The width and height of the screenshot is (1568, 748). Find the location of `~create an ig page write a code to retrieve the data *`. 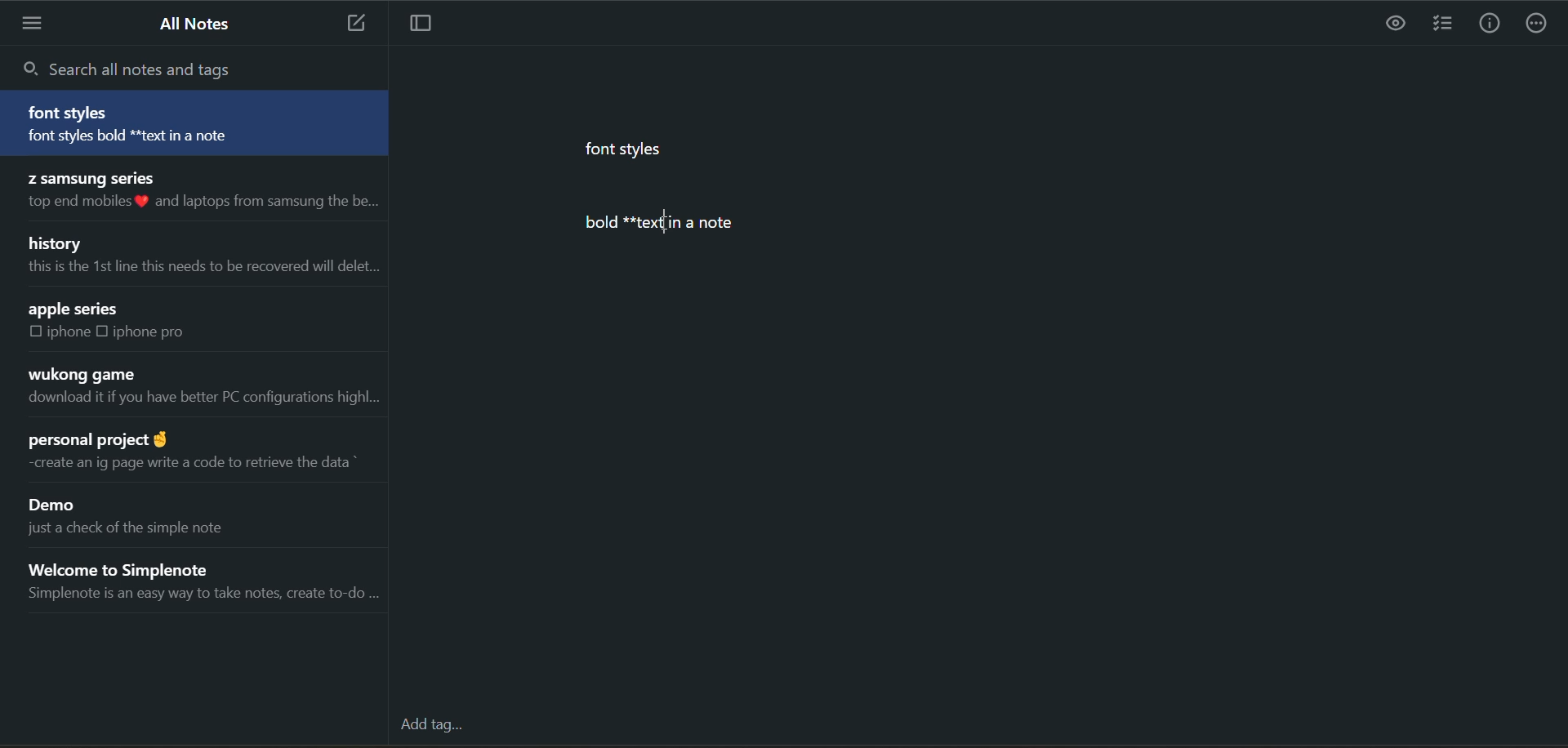

~create an ig page write a code to retrieve the data * is located at coordinates (188, 462).